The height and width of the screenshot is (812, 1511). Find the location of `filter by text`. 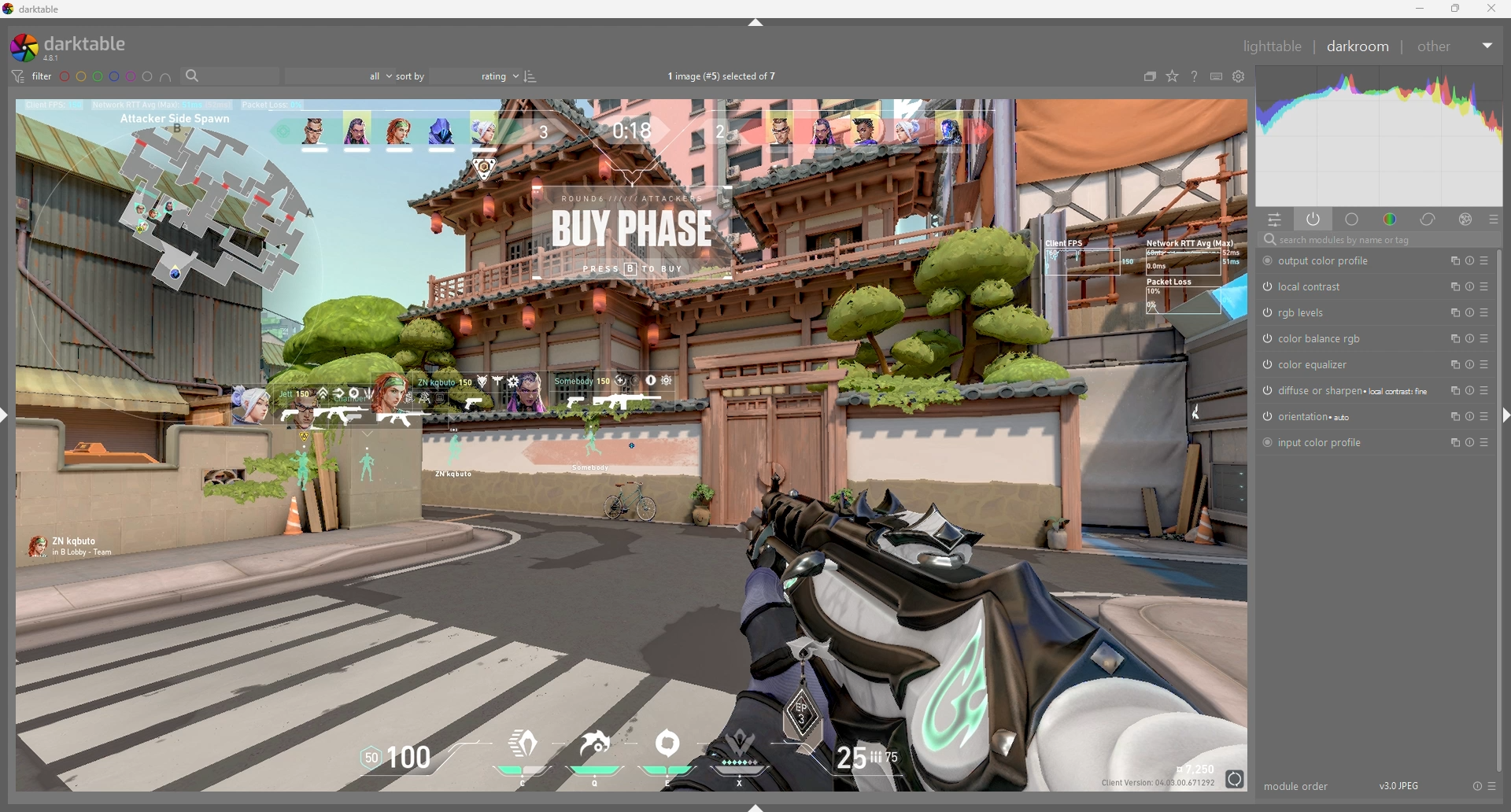

filter by text is located at coordinates (229, 76).